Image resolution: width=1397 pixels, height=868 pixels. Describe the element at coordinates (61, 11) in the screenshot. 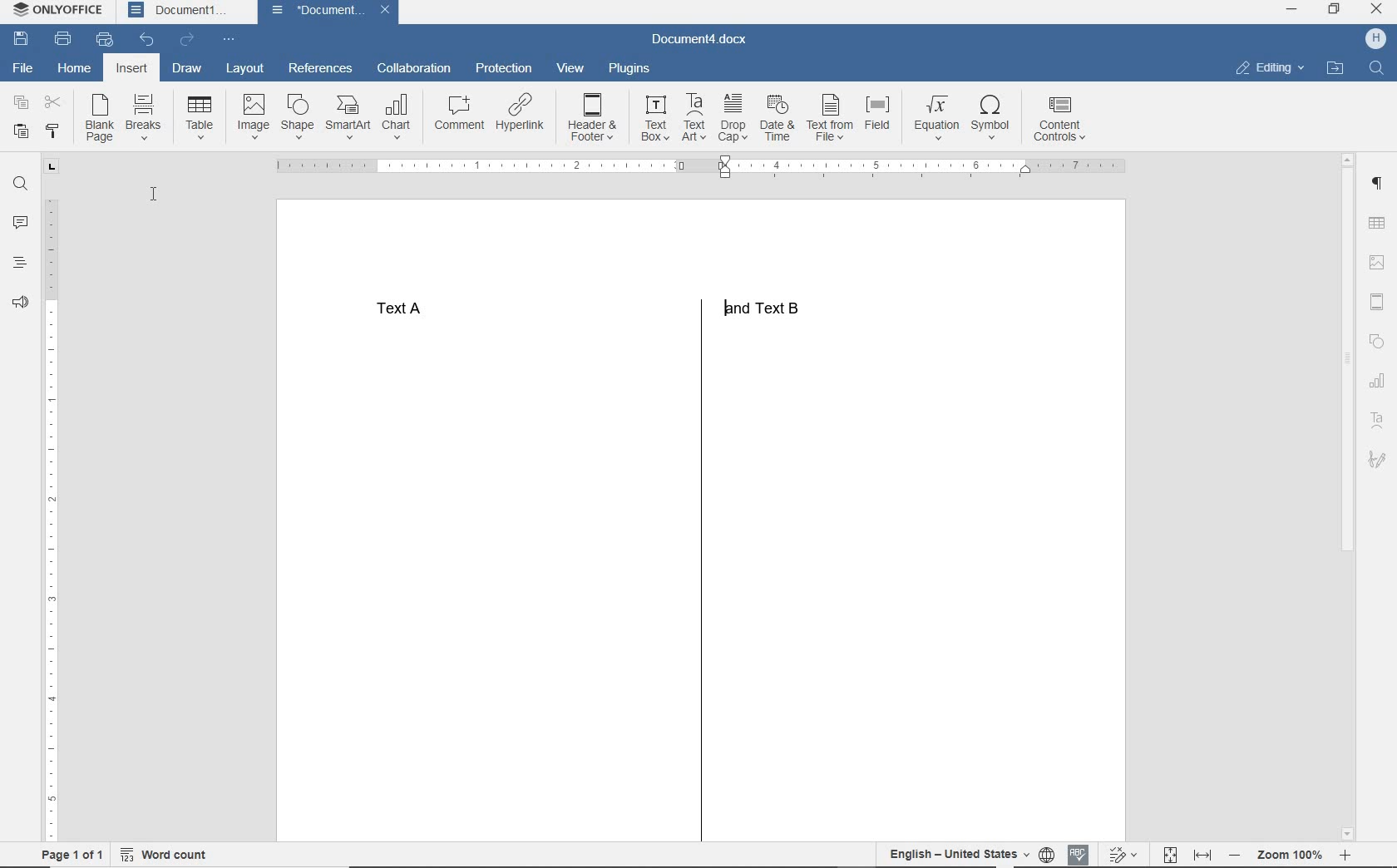

I see `SYSTEM NAME` at that location.